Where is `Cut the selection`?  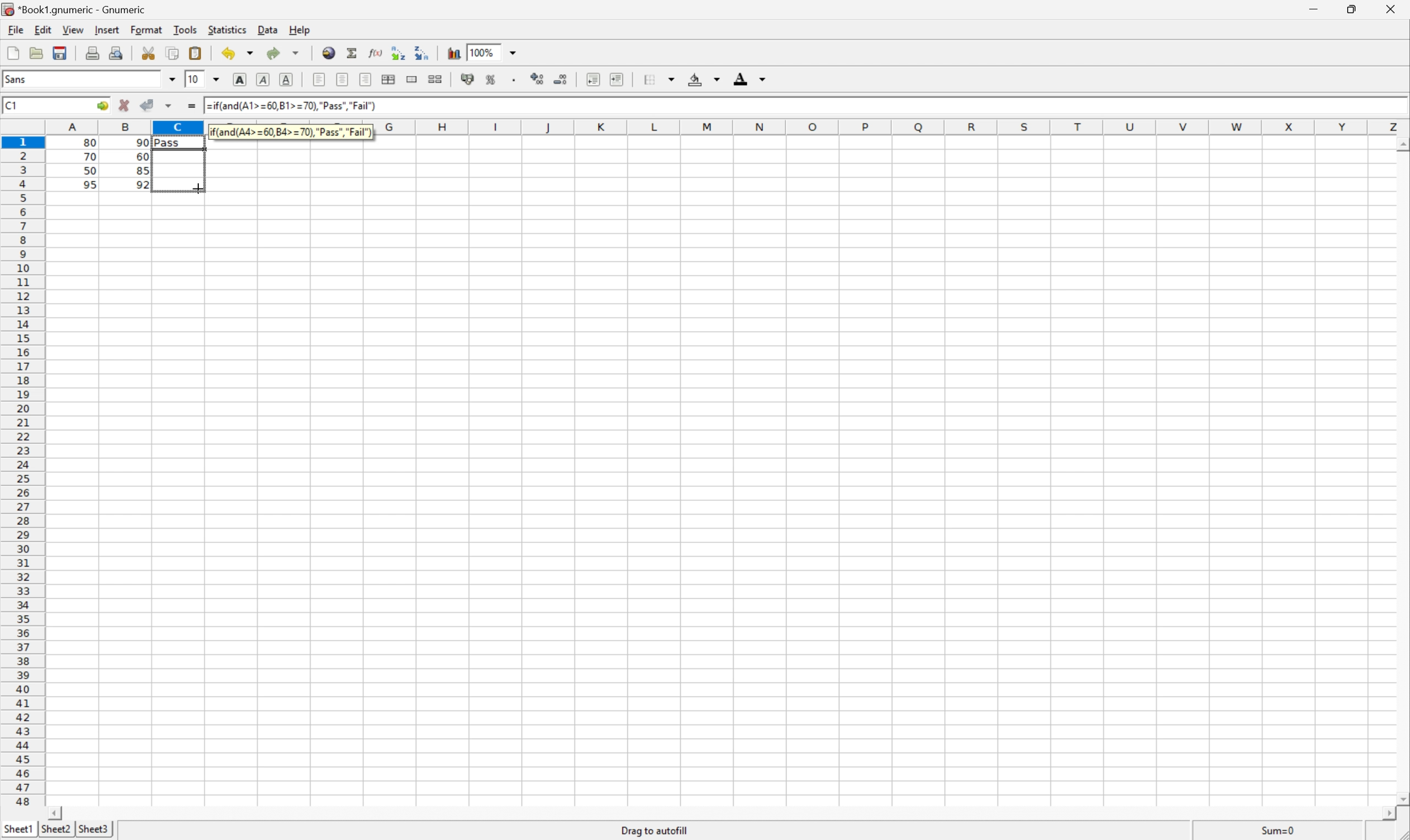 Cut the selection is located at coordinates (149, 52).